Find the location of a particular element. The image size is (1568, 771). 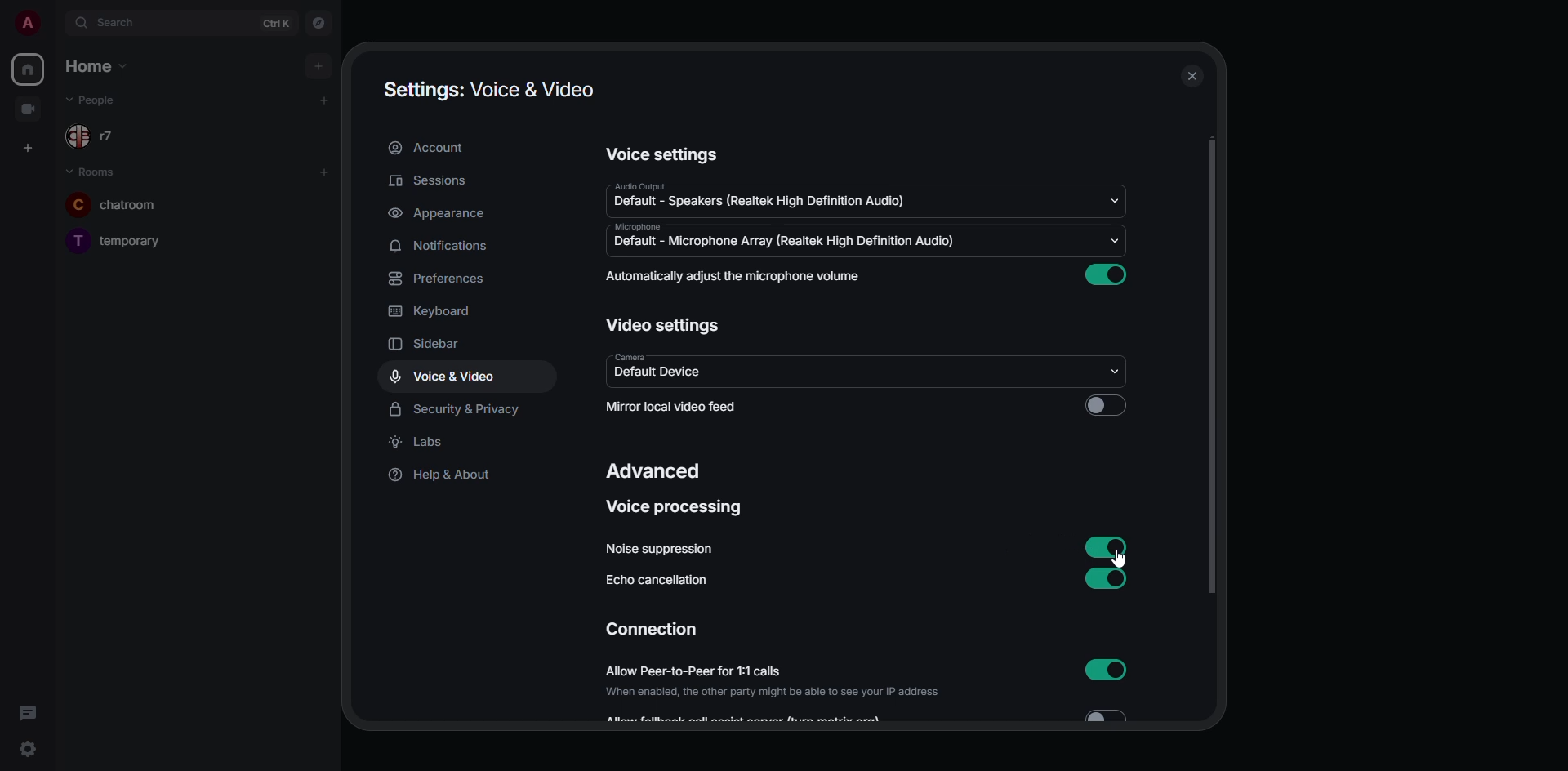

enabled is located at coordinates (1109, 577).